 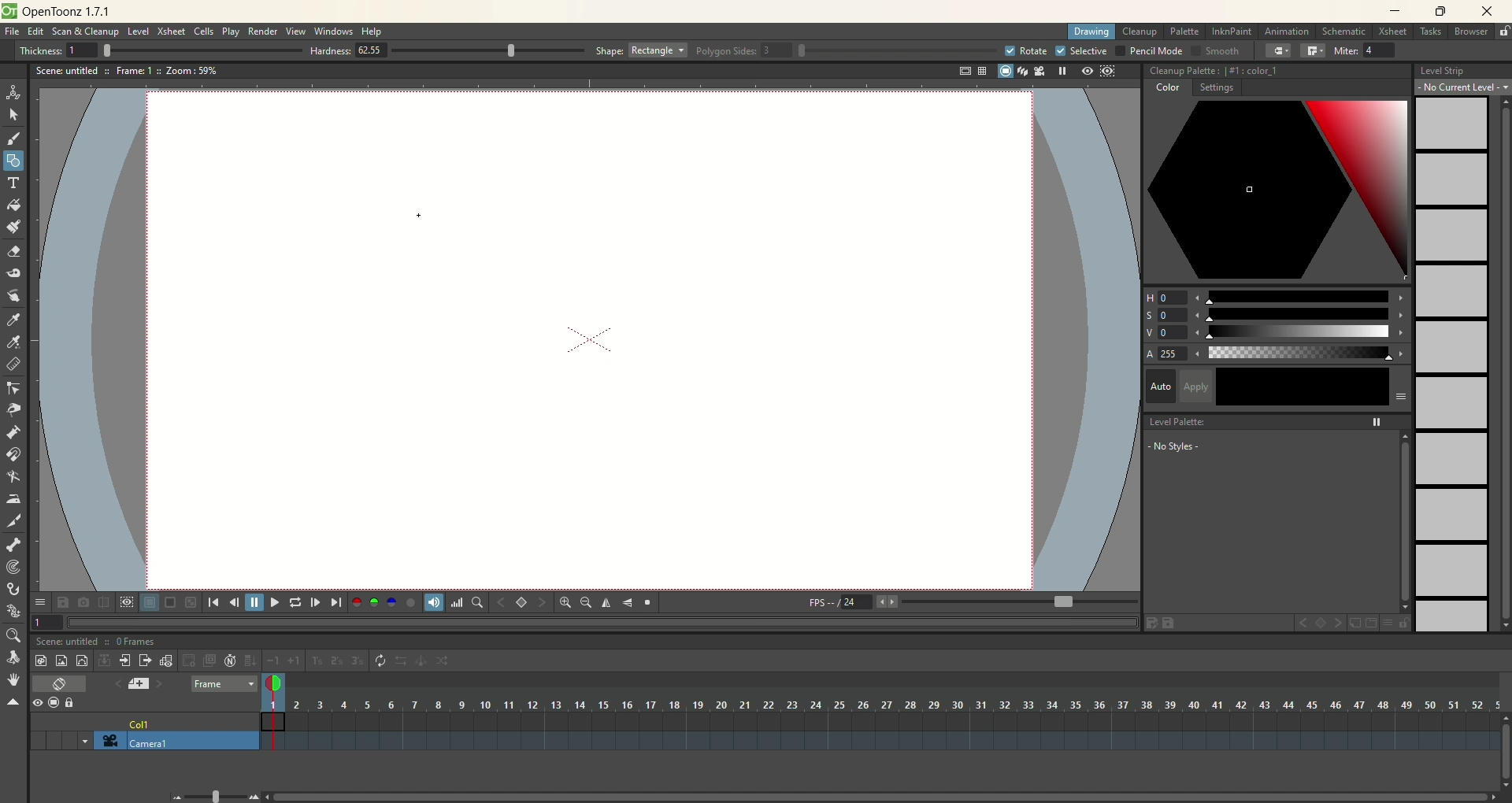 I want to click on pencil mode, so click(x=1148, y=50).